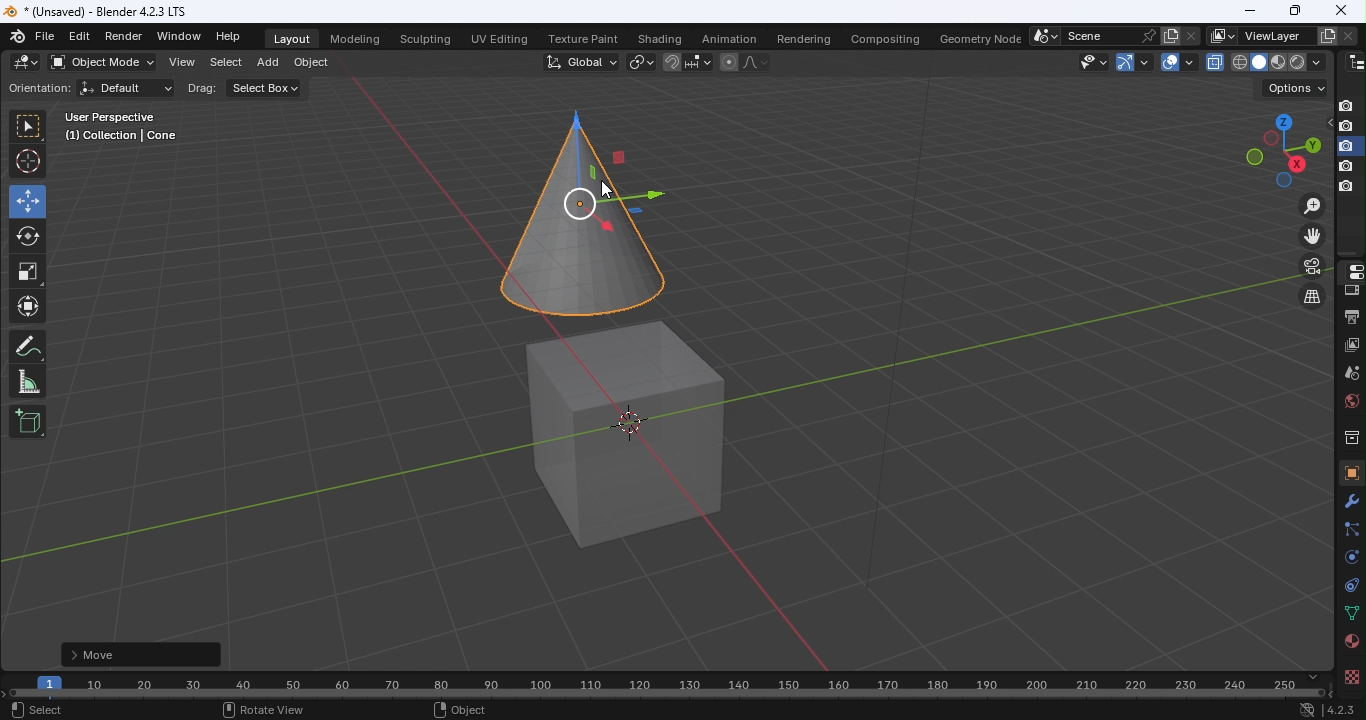 The width and height of the screenshot is (1366, 720). What do you see at coordinates (1350, 291) in the screenshot?
I see `Render` at bounding box center [1350, 291].